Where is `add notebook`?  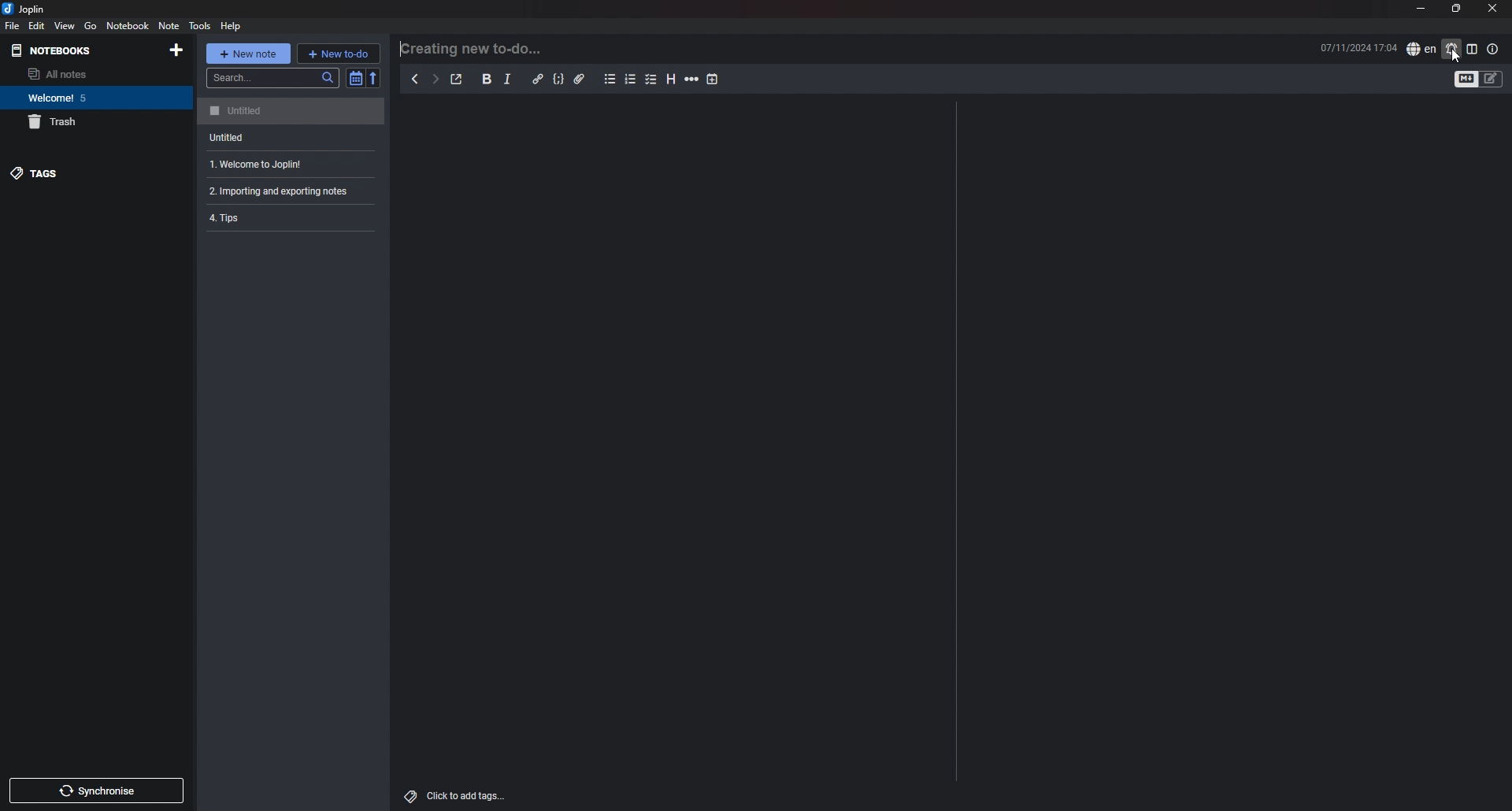
add notebook is located at coordinates (178, 50).